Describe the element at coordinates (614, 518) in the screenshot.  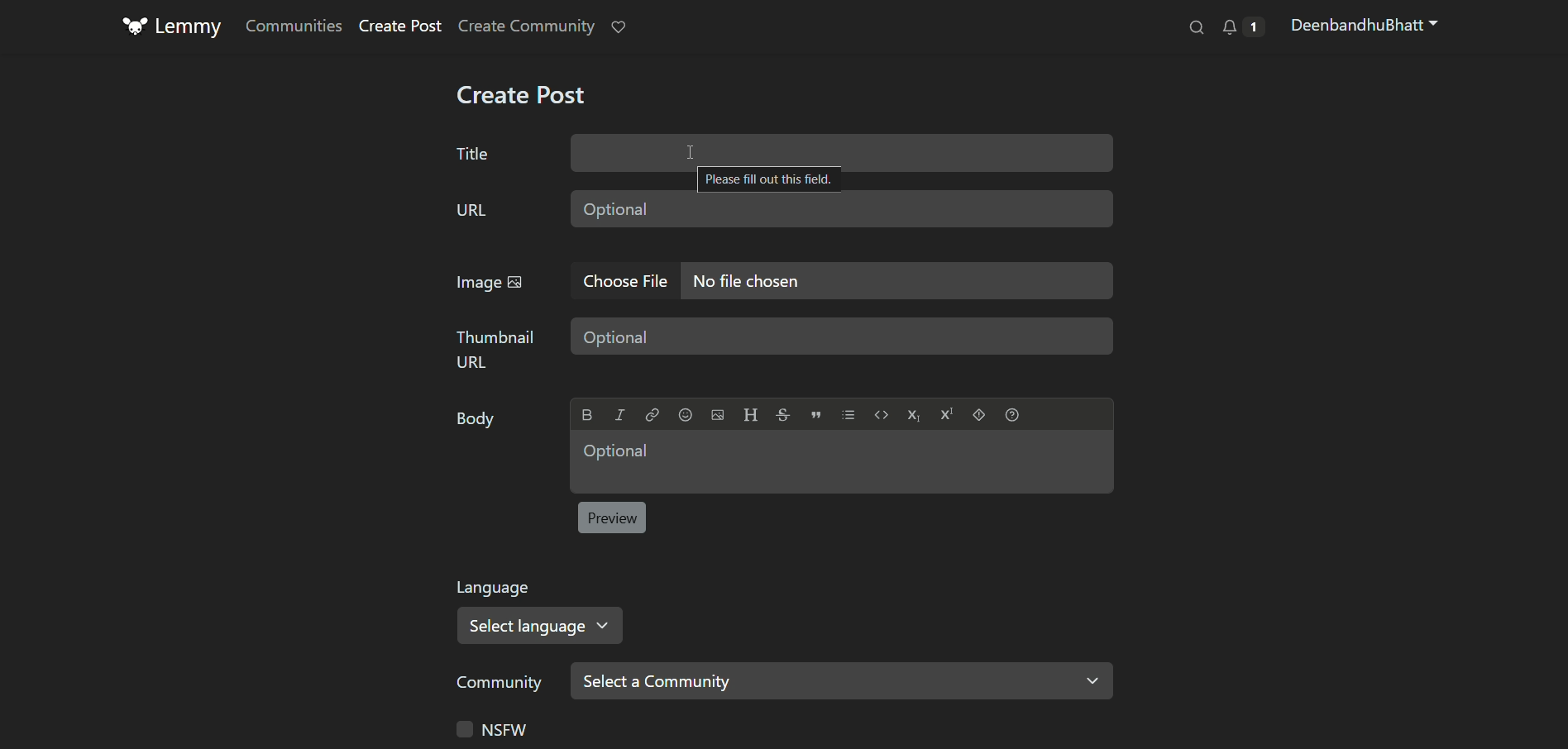
I see `preview` at that location.